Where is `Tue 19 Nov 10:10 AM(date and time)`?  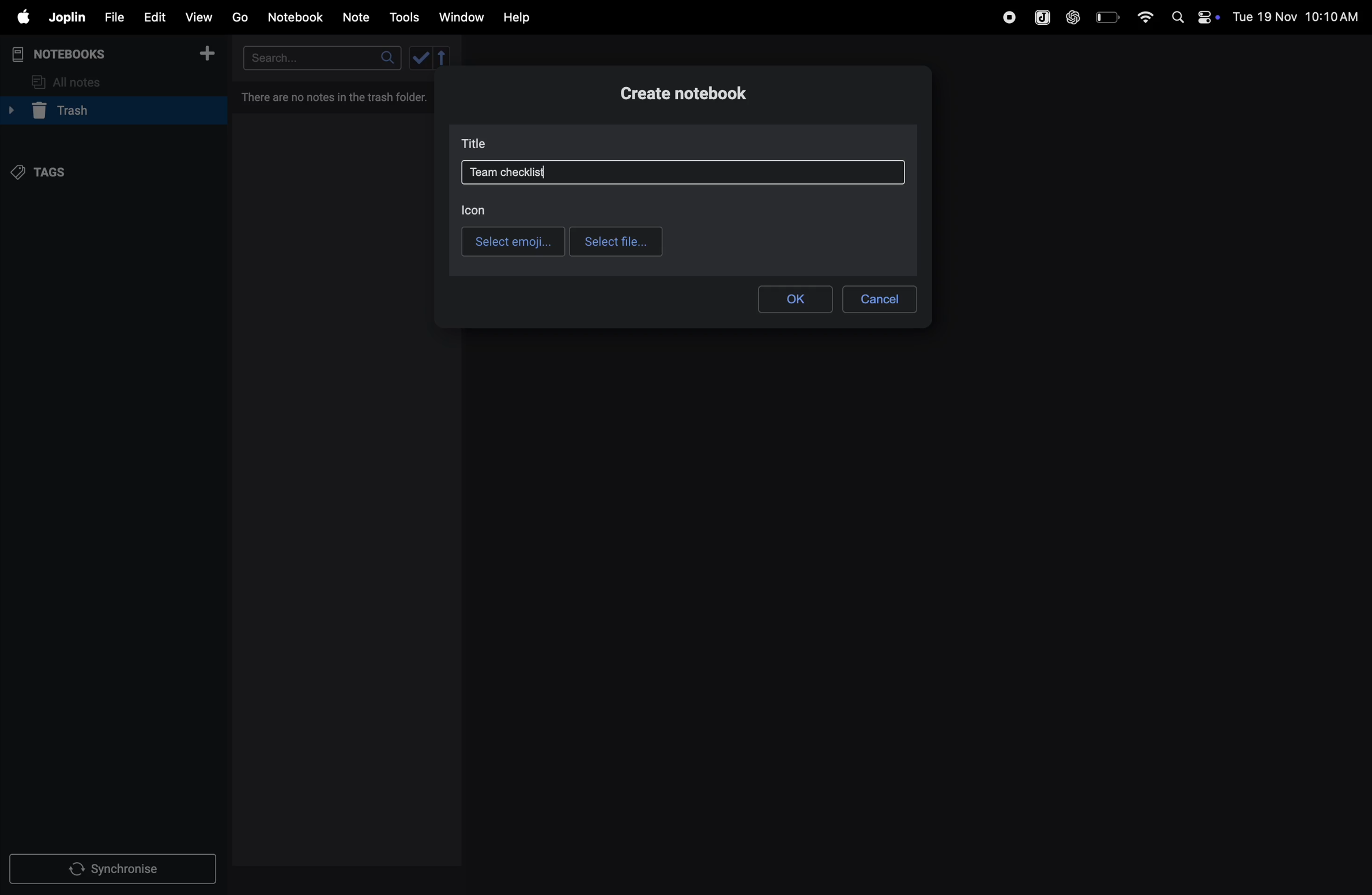
Tue 19 Nov 10:10 AM(date and time) is located at coordinates (1297, 17).